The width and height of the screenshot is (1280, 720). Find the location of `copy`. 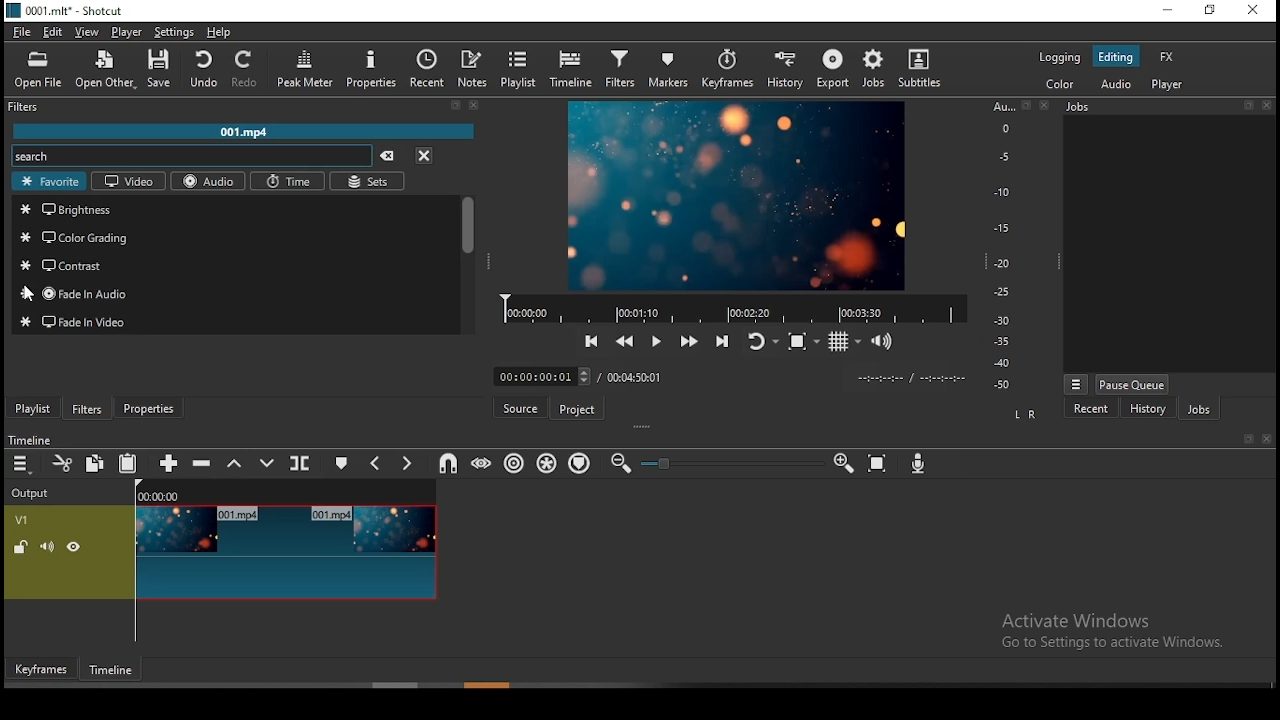

copy is located at coordinates (94, 463).